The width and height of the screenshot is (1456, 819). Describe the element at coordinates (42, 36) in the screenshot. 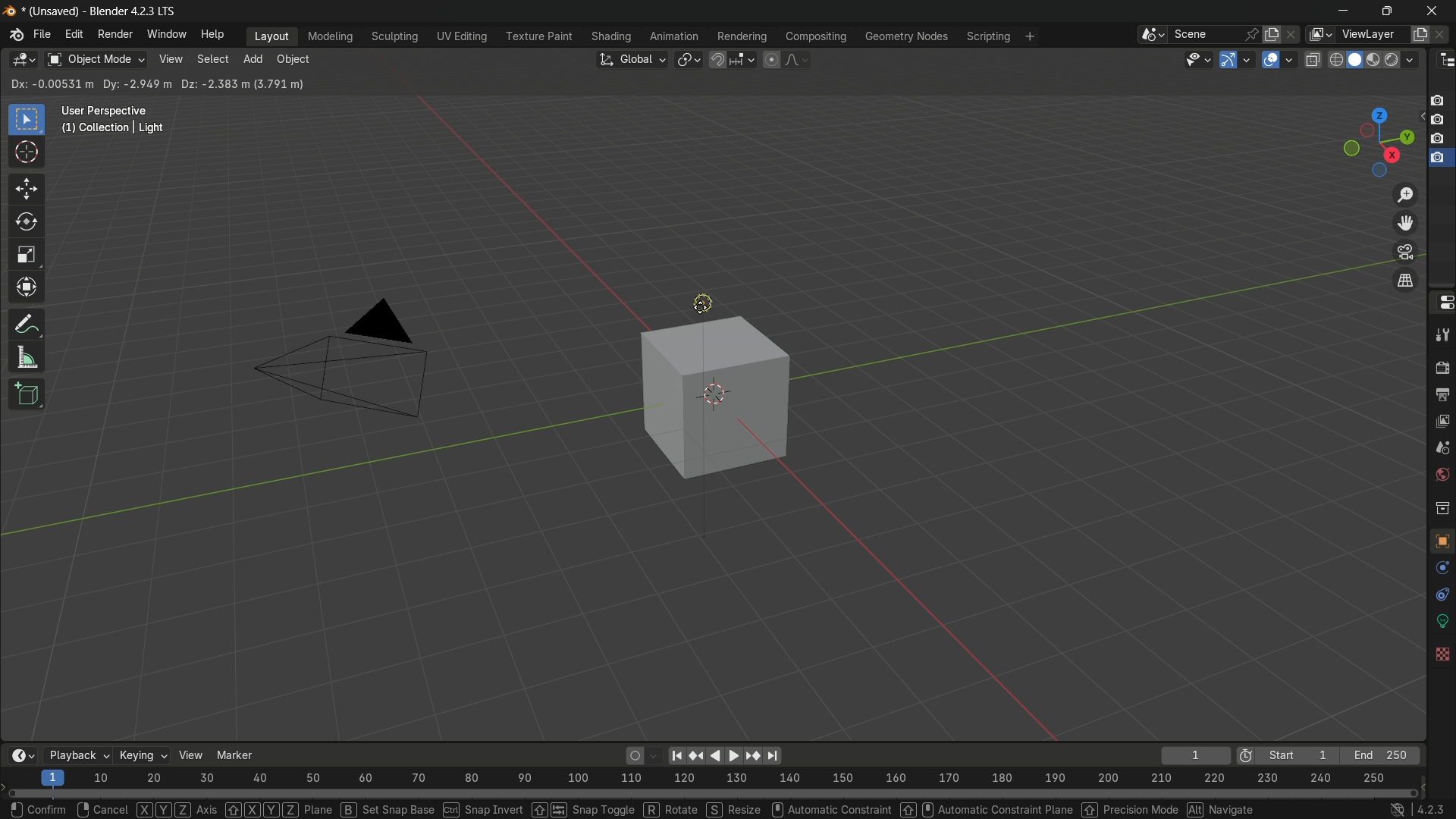

I see `file menu` at that location.